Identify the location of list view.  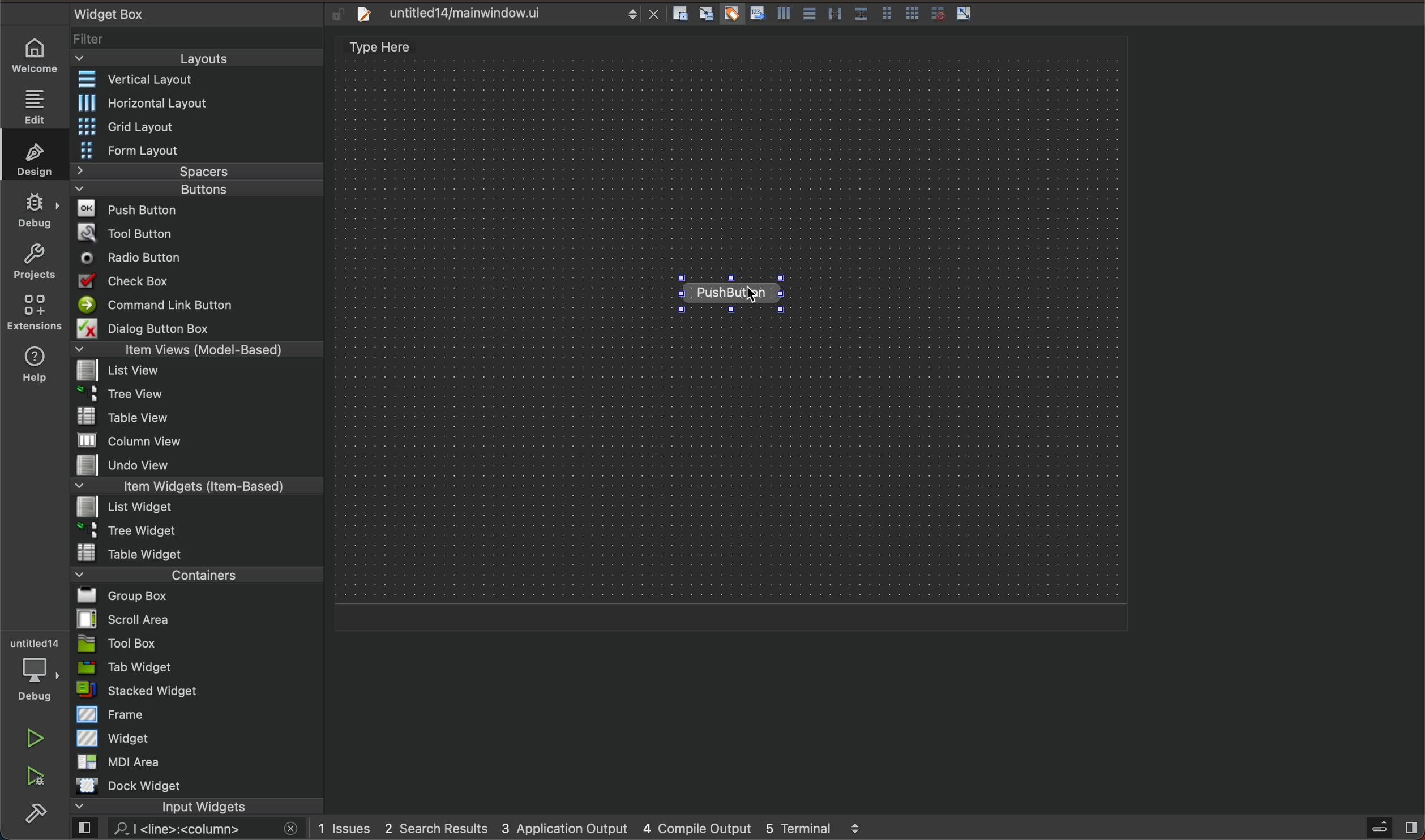
(203, 372).